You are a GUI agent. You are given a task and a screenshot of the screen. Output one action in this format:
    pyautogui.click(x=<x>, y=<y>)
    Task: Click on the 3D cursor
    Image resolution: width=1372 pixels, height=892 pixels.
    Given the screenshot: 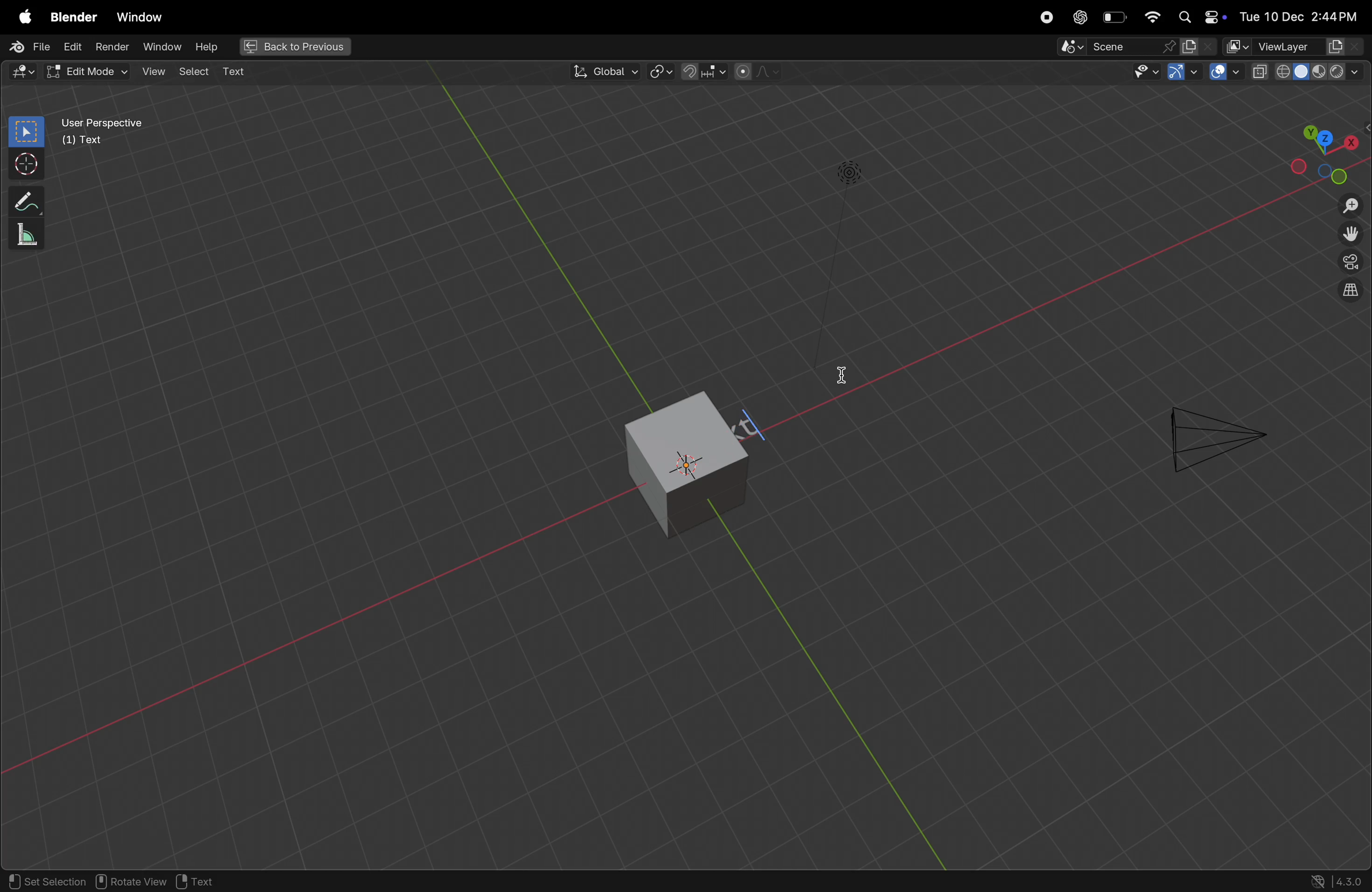 What is the action you would take?
    pyautogui.click(x=209, y=881)
    